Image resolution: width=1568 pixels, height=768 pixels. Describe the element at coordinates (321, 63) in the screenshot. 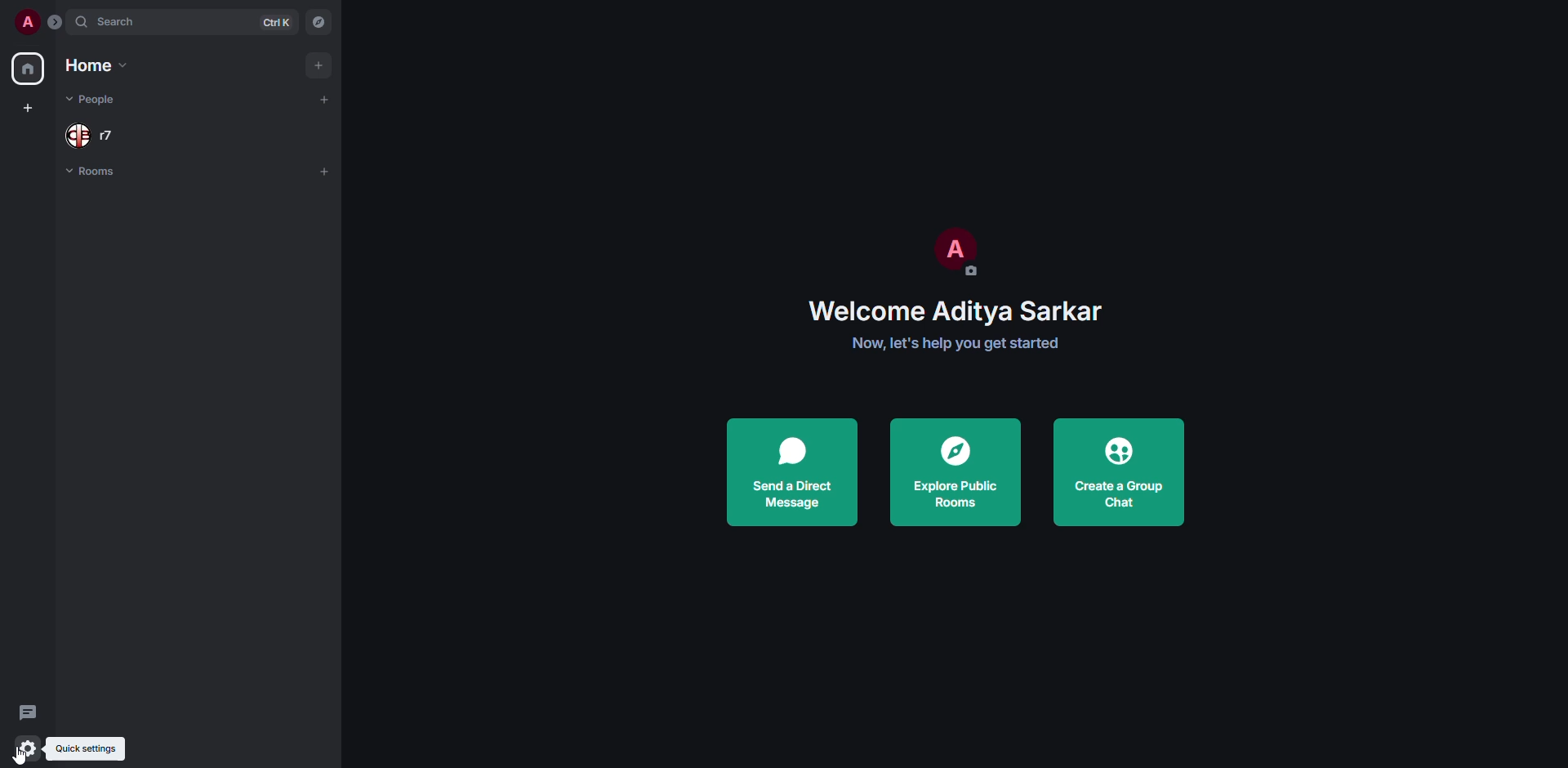

I see `add` at that location.